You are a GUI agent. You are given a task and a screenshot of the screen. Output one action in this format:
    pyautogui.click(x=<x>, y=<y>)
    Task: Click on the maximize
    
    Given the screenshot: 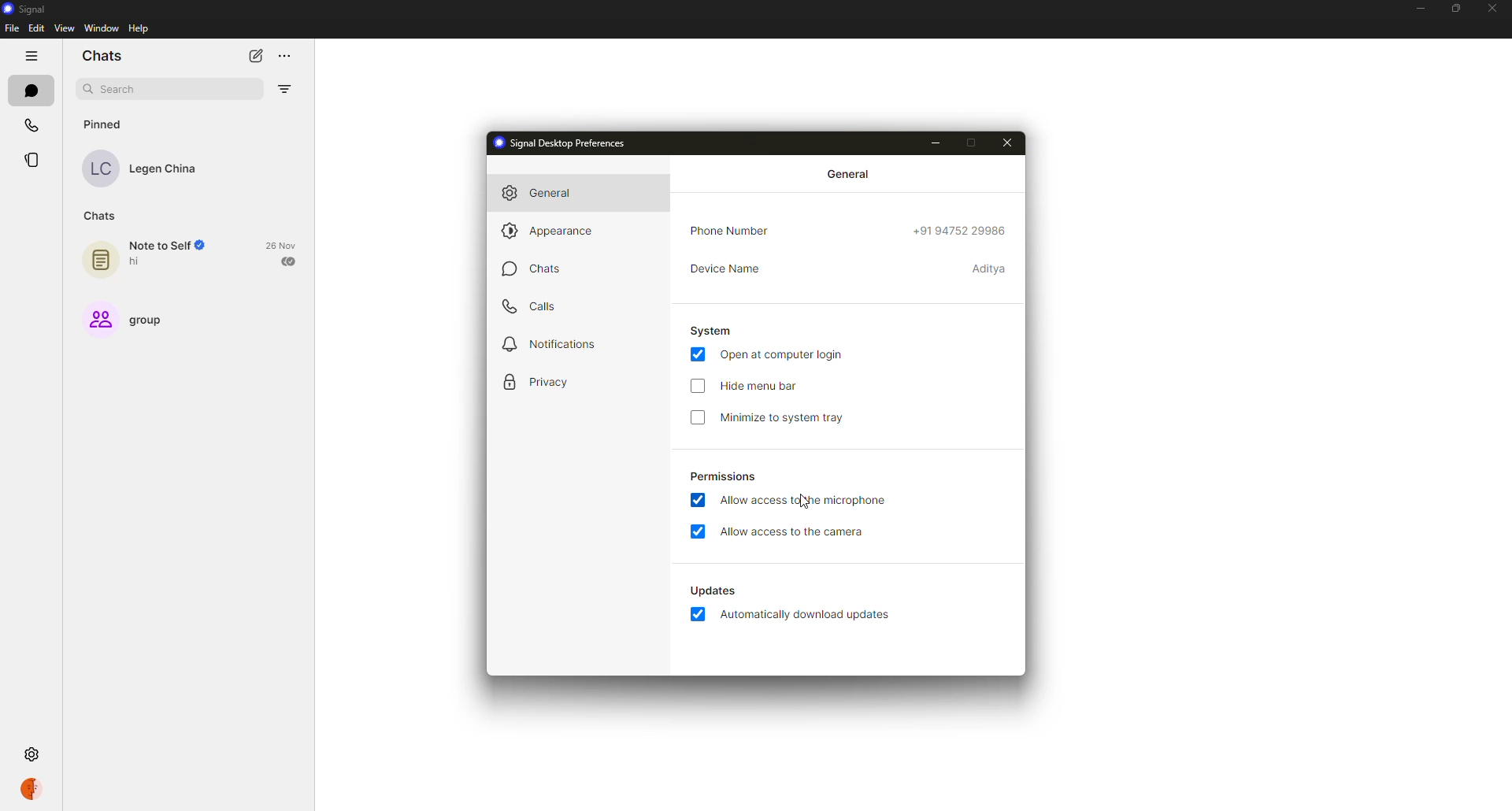 What is the action you would take?
    pyautogui.click(x=1454, y=10)
    